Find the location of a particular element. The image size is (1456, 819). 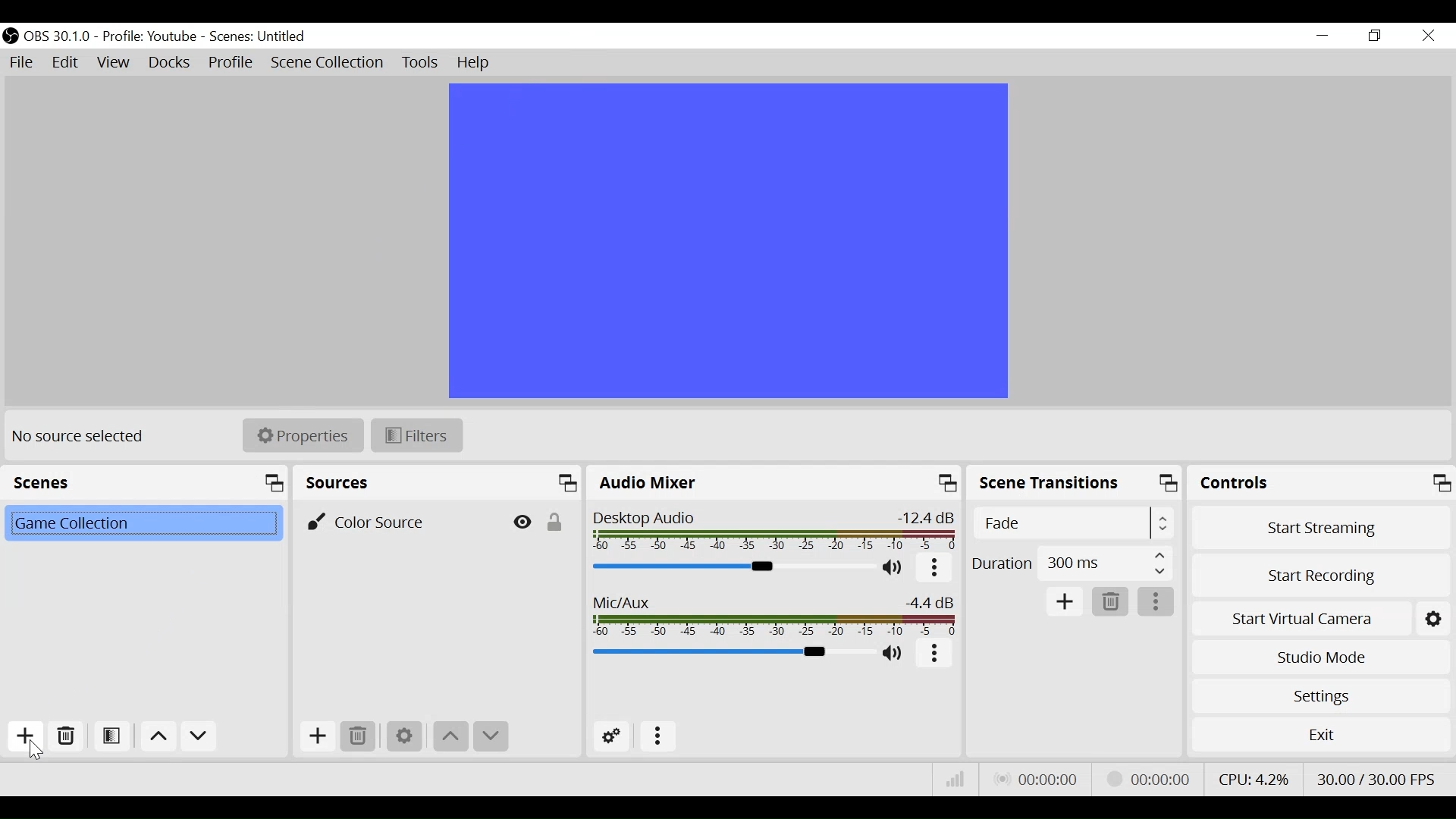

Frame Per Second is located at coordinates (1380, 778).